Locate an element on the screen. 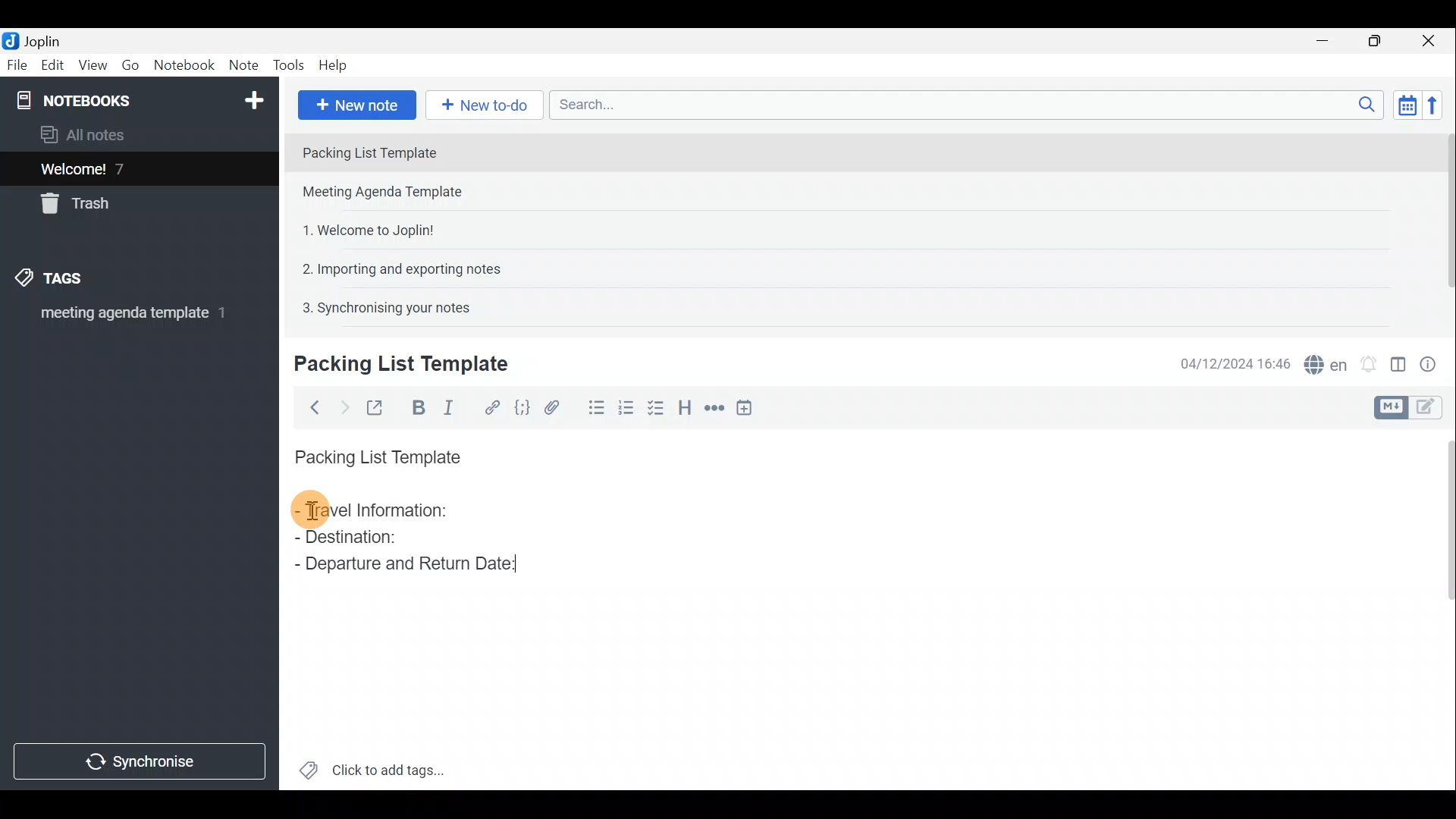 Image resolution: width=1456 pixels, height=819 pixels. Italic is located at coordinates (454, 407).